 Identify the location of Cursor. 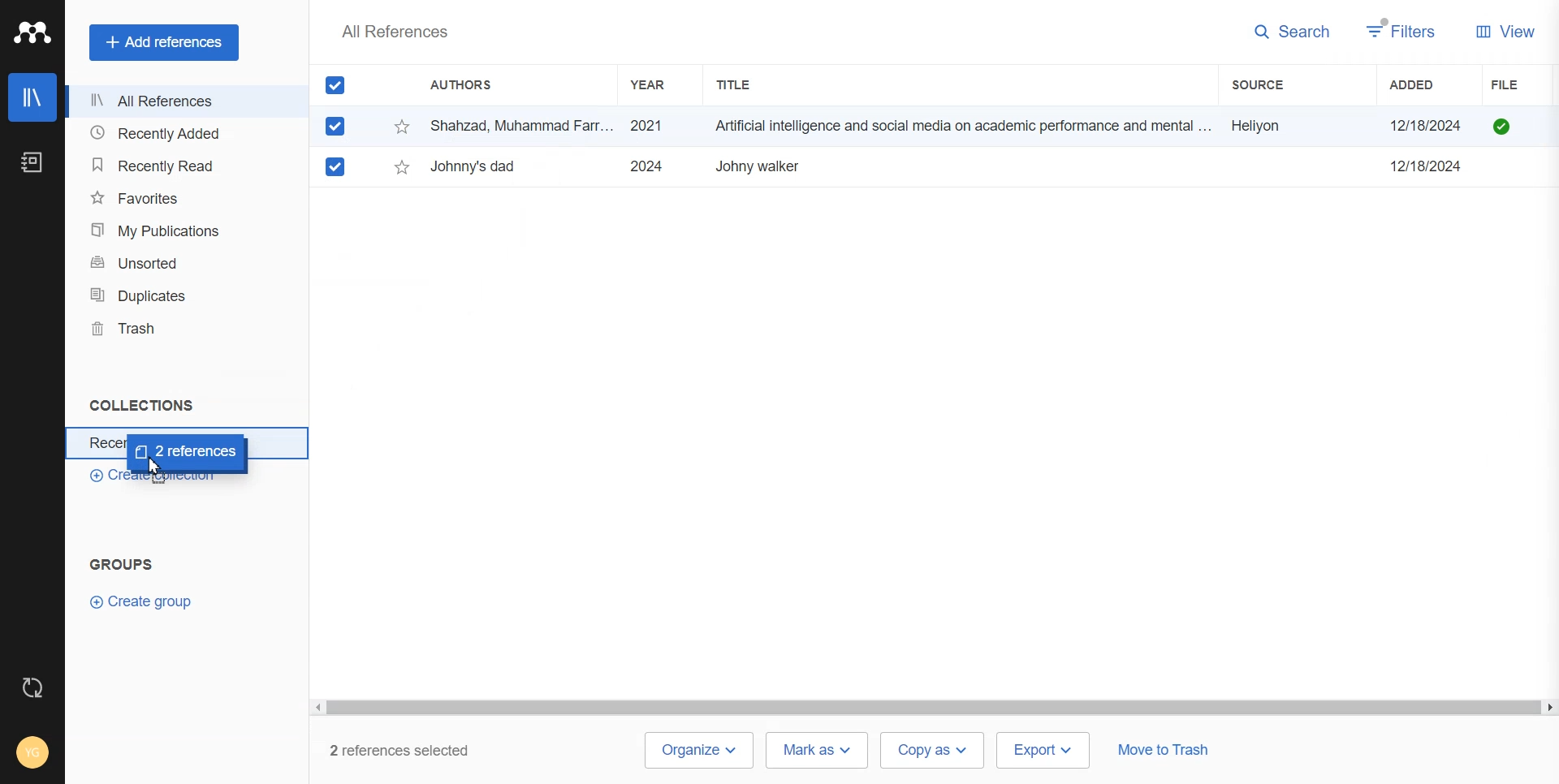
(158, 467).